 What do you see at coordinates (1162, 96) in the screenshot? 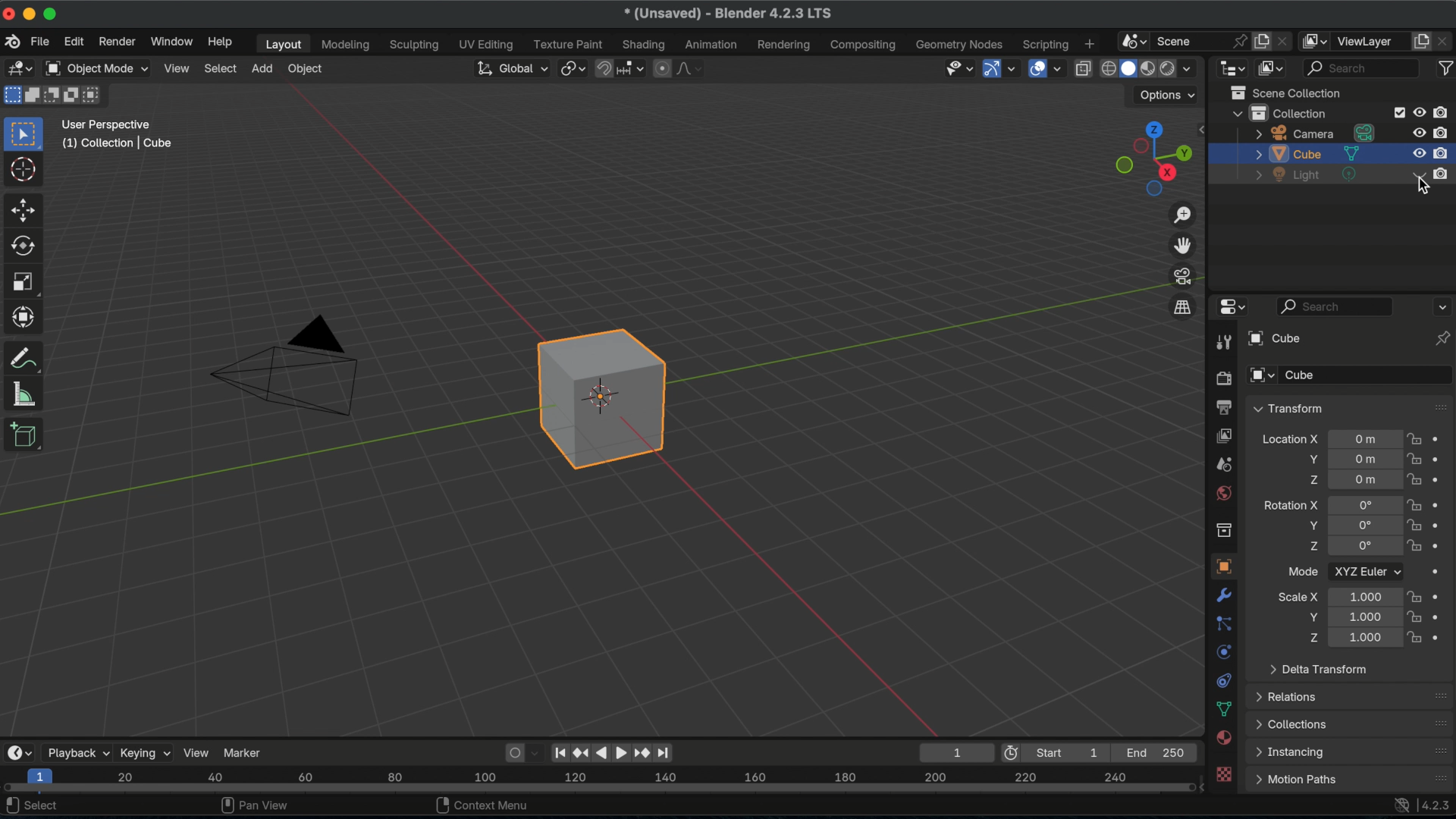
I see `options dropdown` at bounding box center [1162, 96].